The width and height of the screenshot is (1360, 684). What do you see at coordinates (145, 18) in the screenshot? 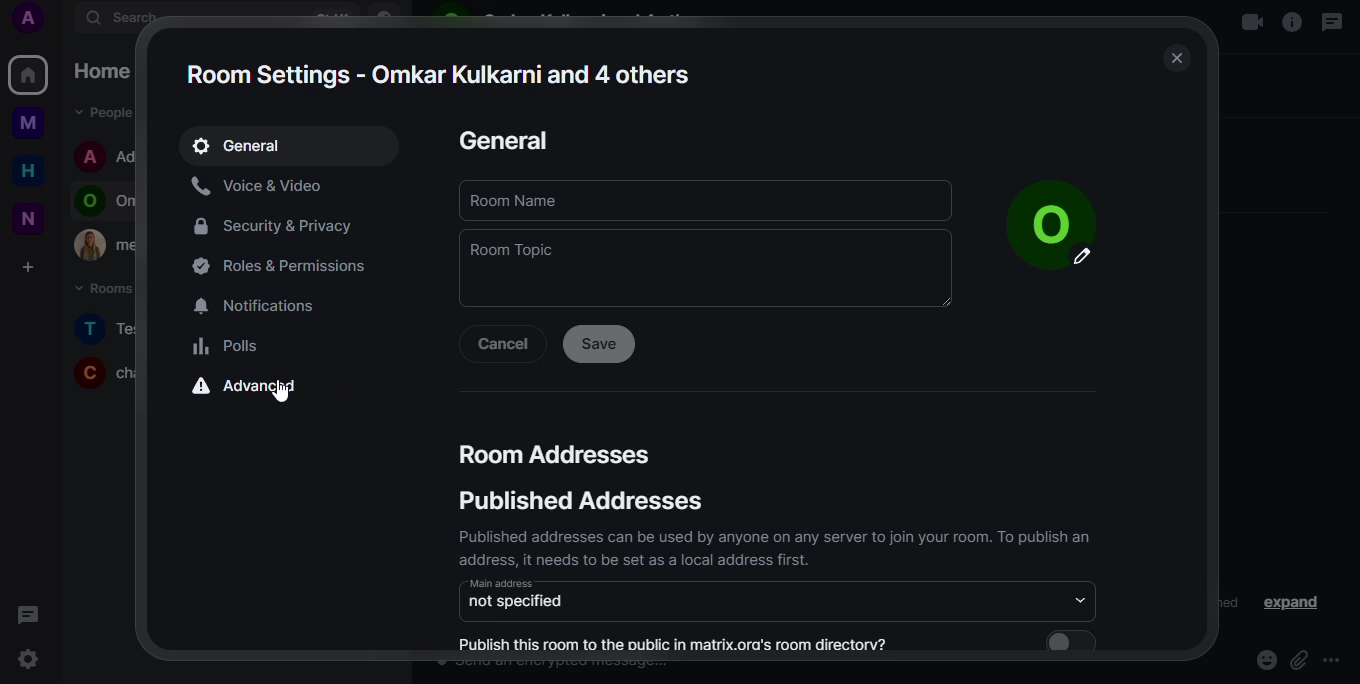
I see `search` at bounding box center [145, 18].